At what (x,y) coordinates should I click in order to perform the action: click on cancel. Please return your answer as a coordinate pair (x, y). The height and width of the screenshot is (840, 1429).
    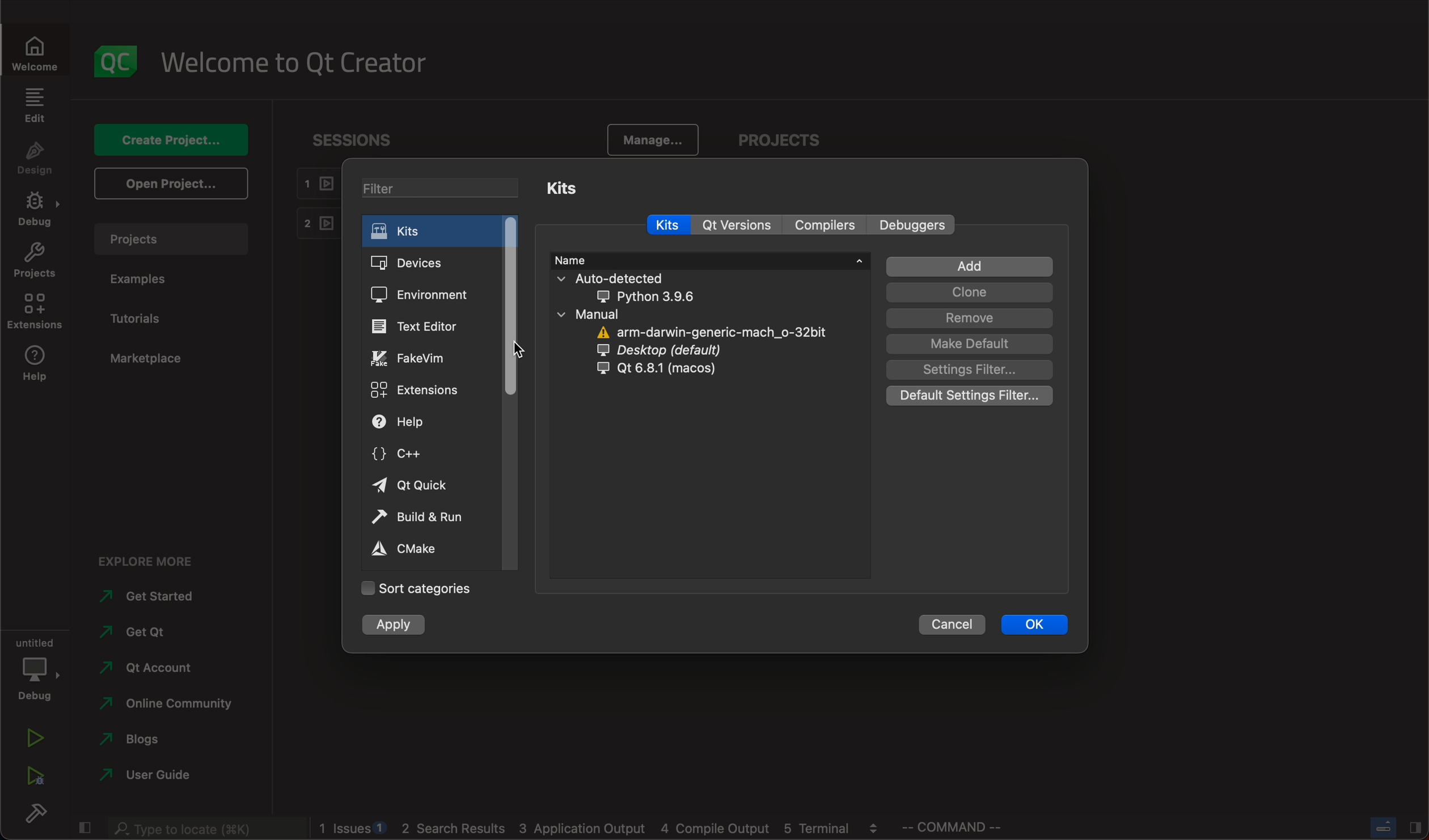
    Looking at the image, I should click on (947, 626).